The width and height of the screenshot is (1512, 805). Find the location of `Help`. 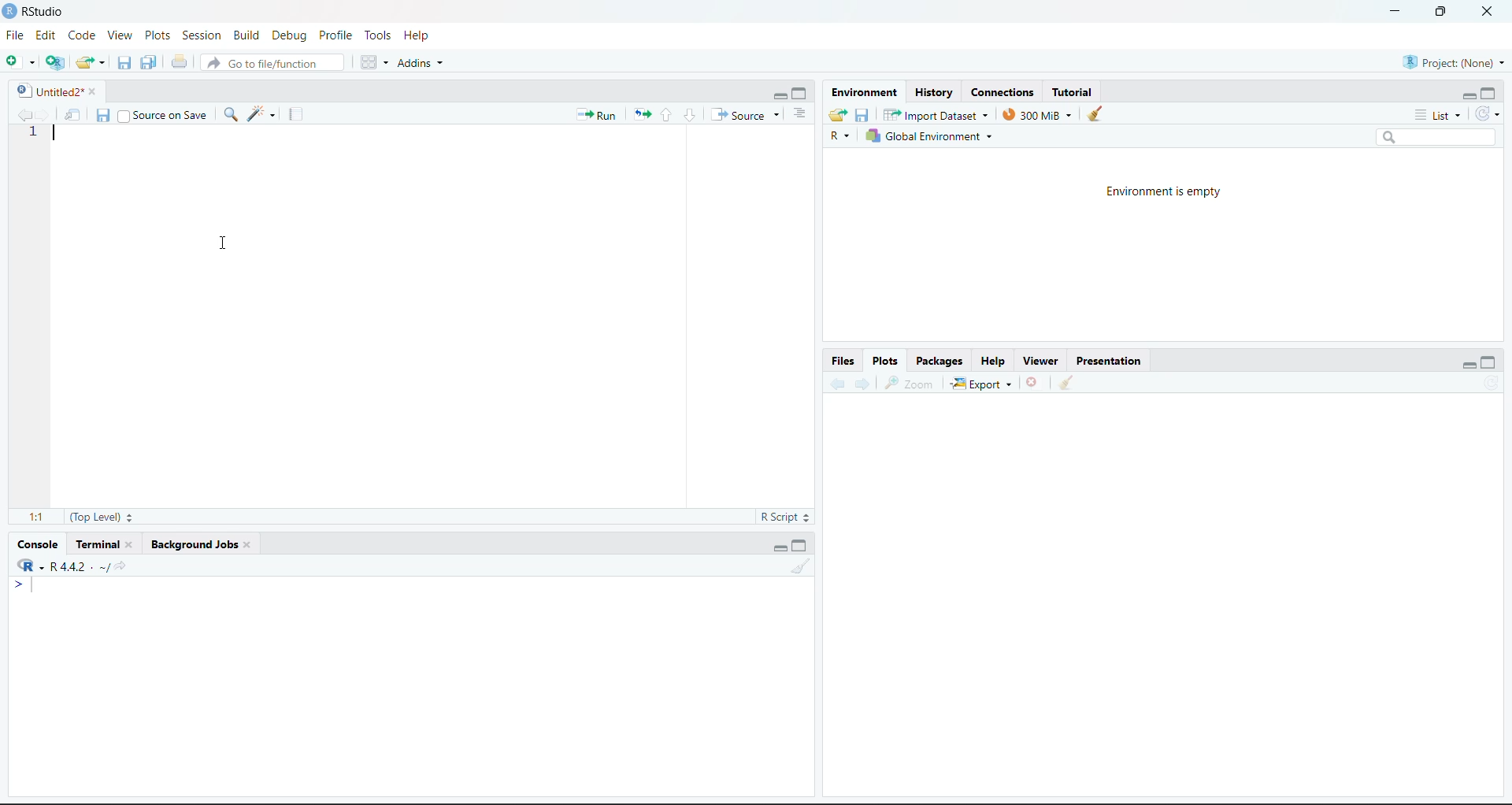

Help is located at coordinates (996, 359).